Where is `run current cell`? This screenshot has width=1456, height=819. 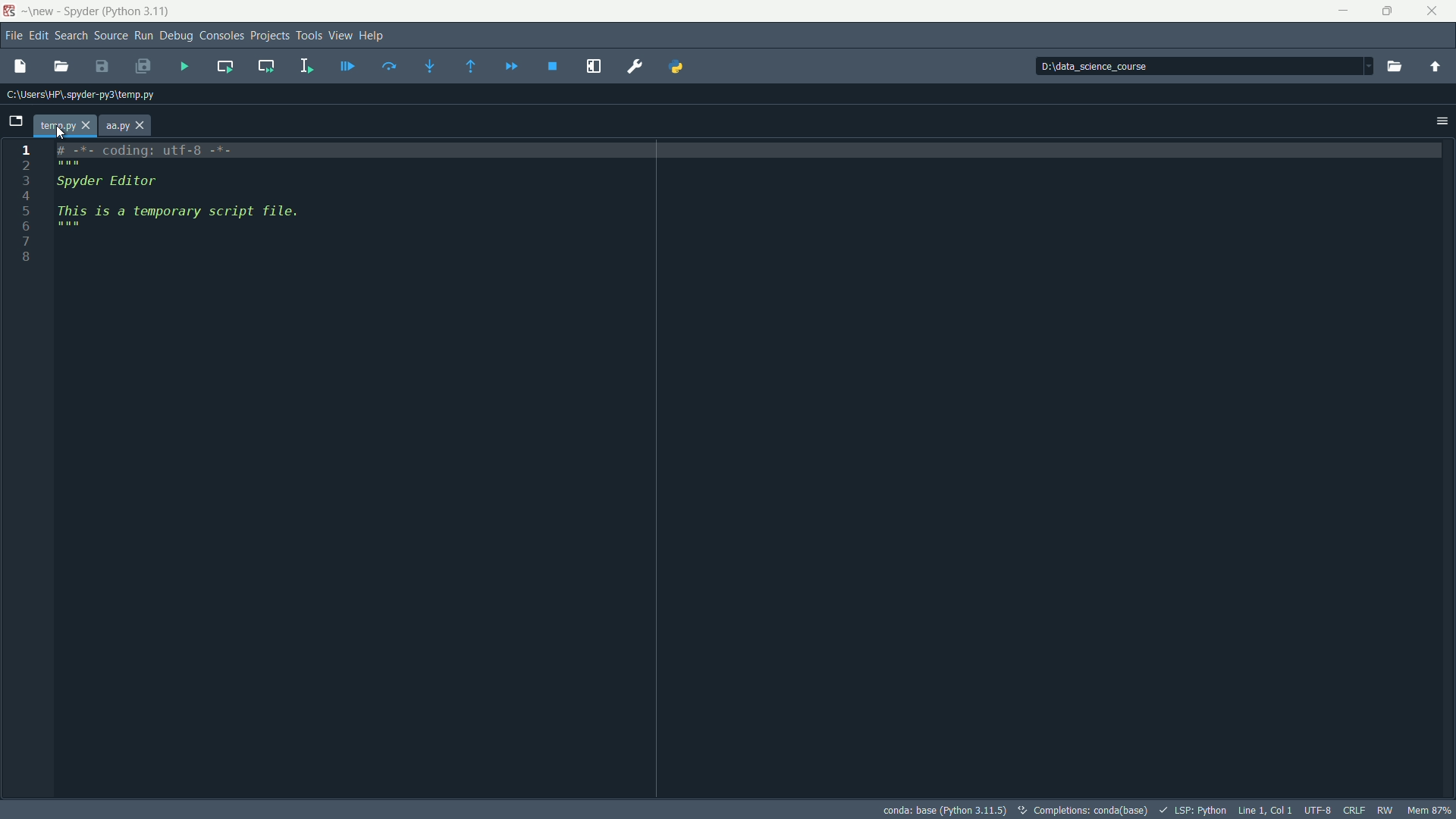
run current cell is located at coordinates (223, 66).